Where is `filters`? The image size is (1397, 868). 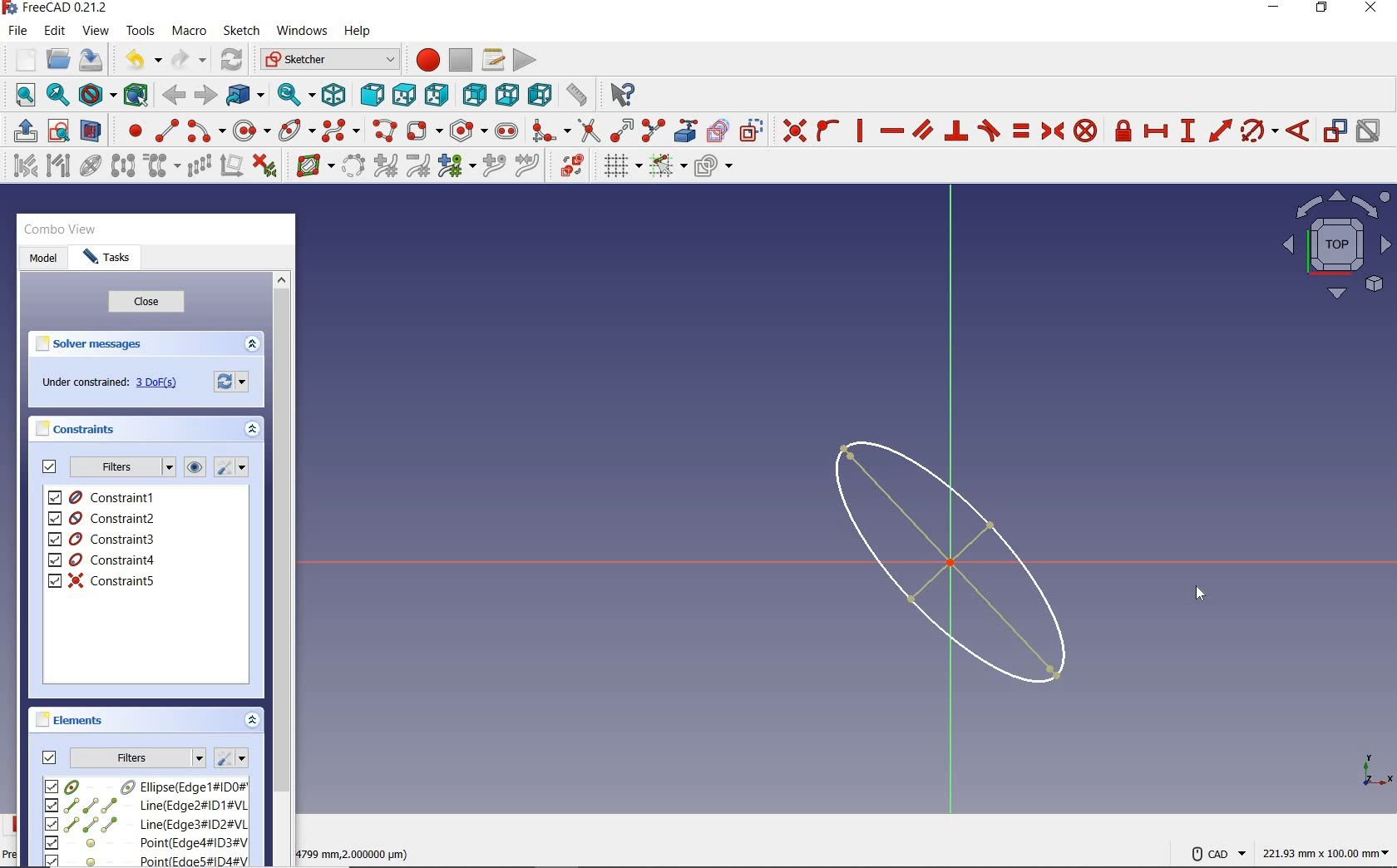 filters is located at coordinates (121, 467).